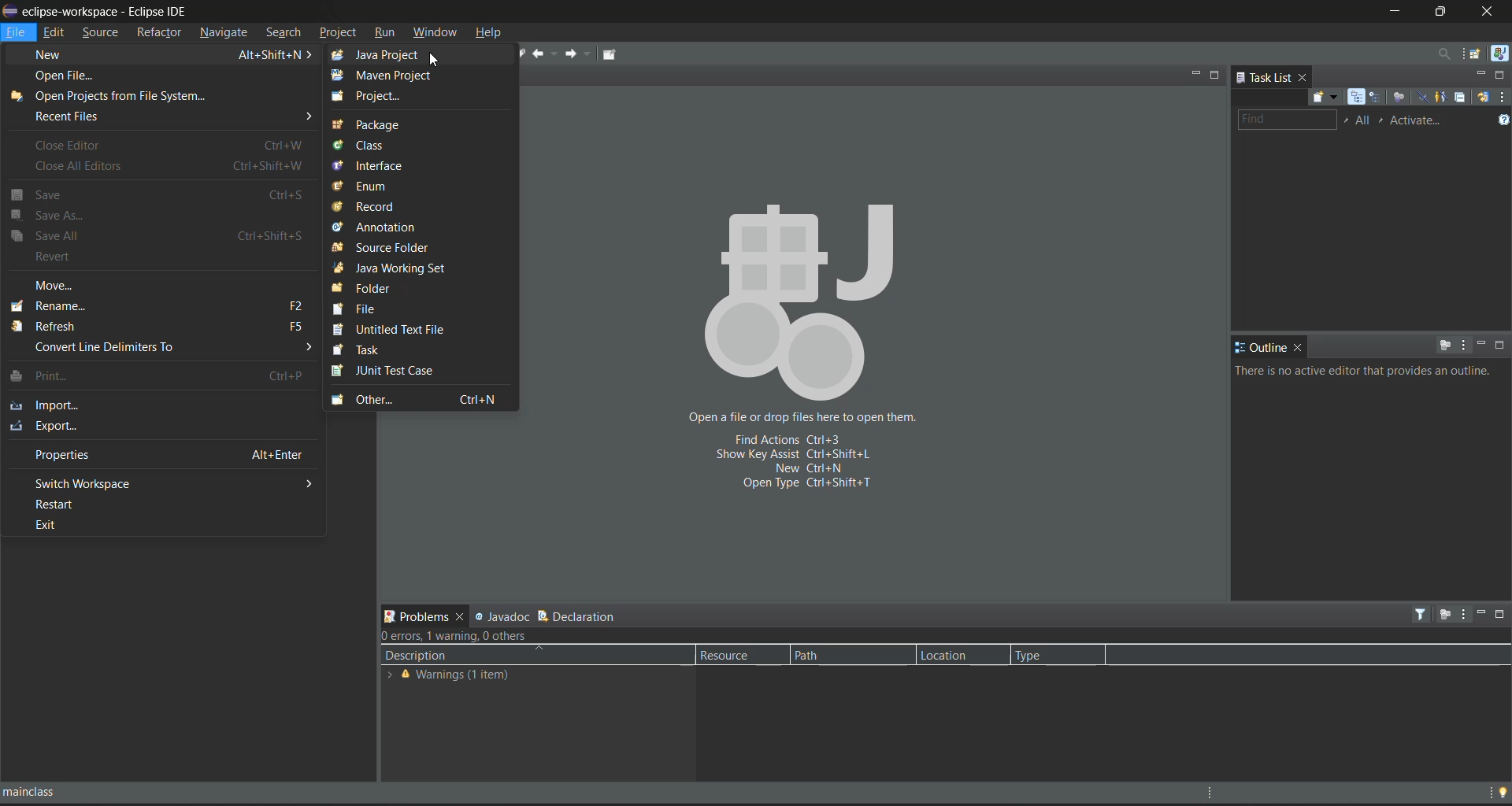 Image resolution: width=1512 pixels, height=806 pixels. Describe the element at coordinates (1480, 75) in the screenshot. I see `minimize` at that location.